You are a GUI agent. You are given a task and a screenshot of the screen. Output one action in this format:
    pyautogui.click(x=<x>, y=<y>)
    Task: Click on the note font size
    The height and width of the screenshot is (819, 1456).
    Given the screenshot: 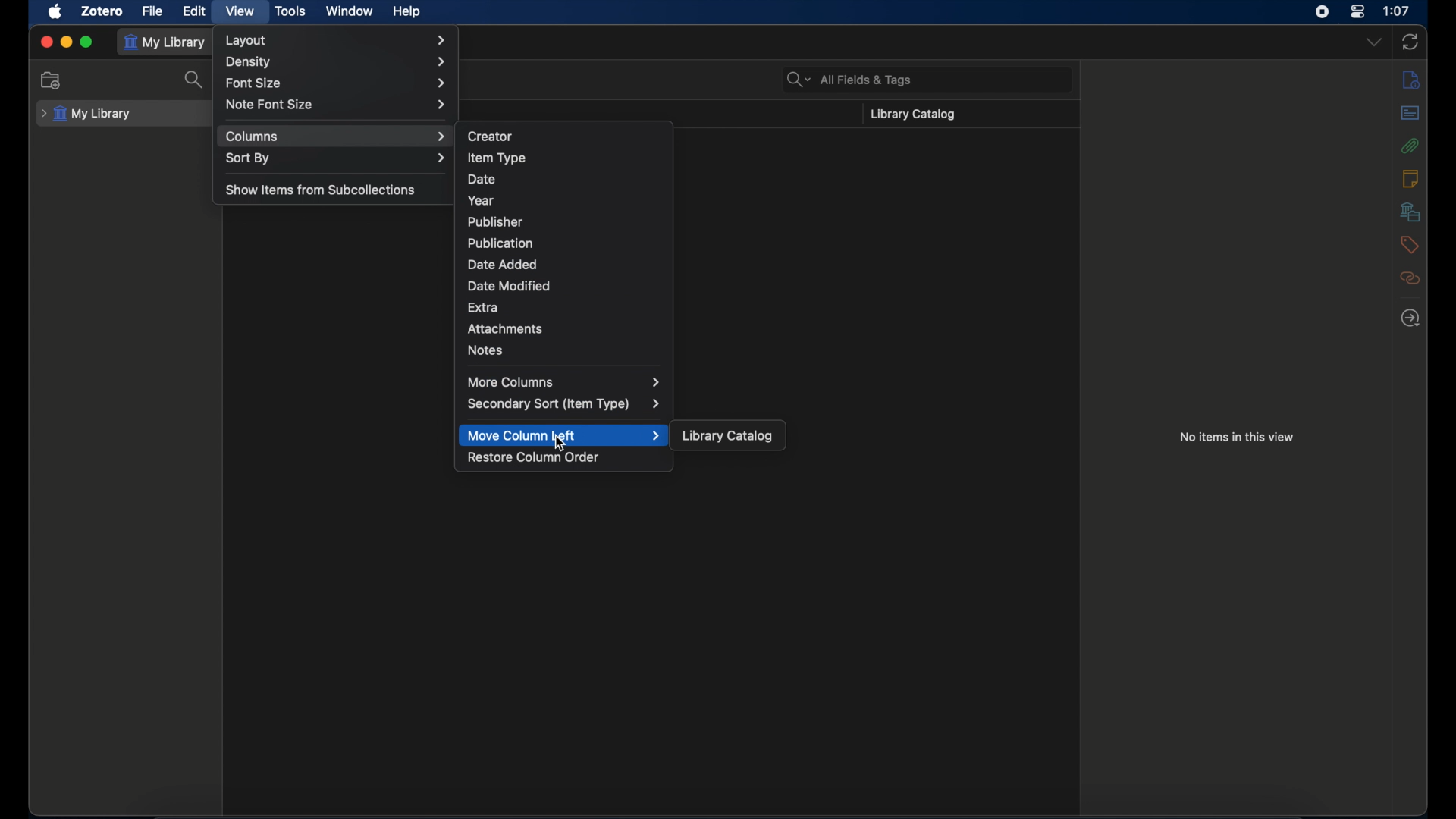 What is the action you would take?
    pyautogui.click(x=337, y=104)
    